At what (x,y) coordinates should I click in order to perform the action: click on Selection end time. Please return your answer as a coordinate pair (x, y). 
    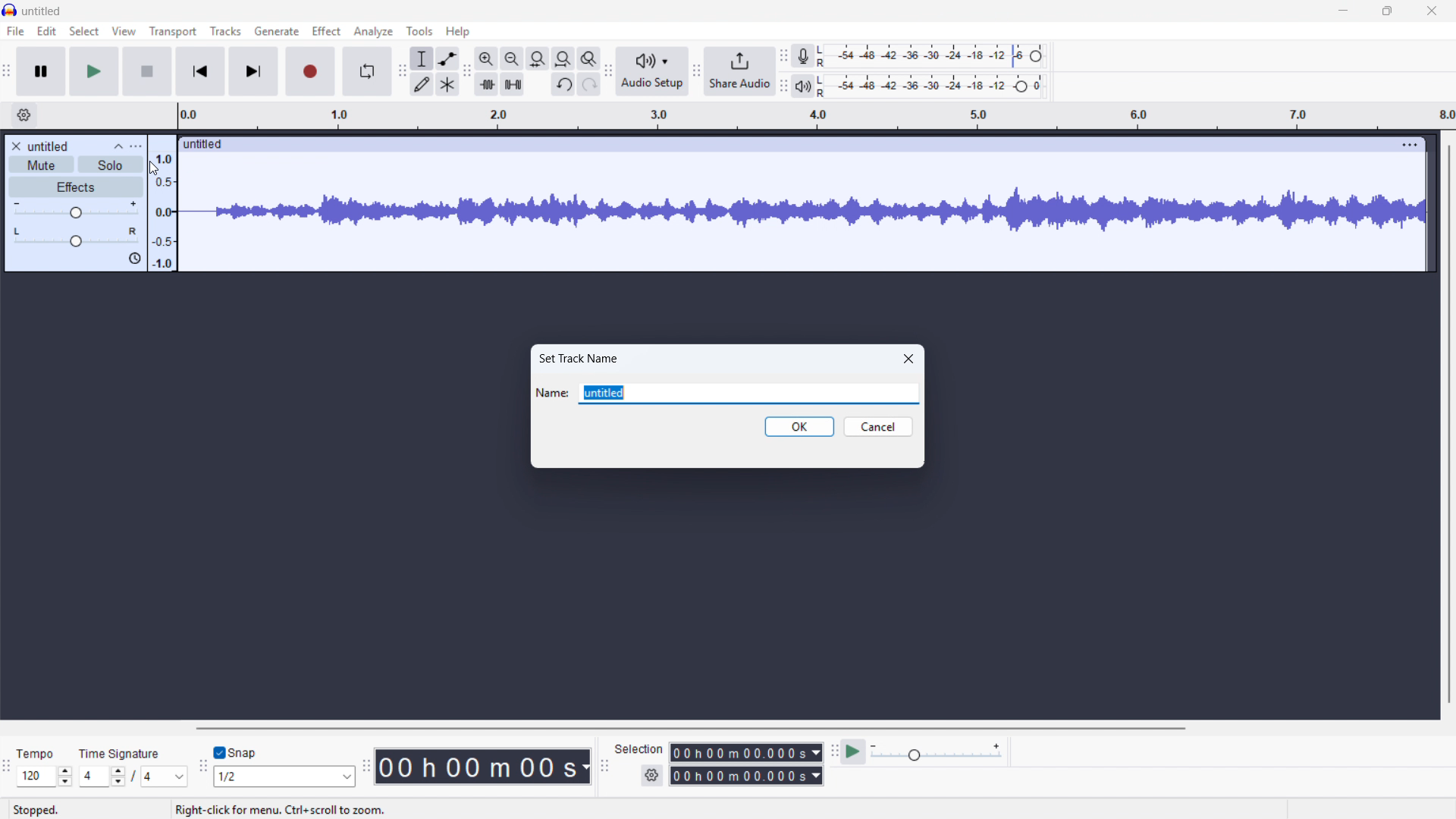
    Looking at the image, I should click on (745, 776).